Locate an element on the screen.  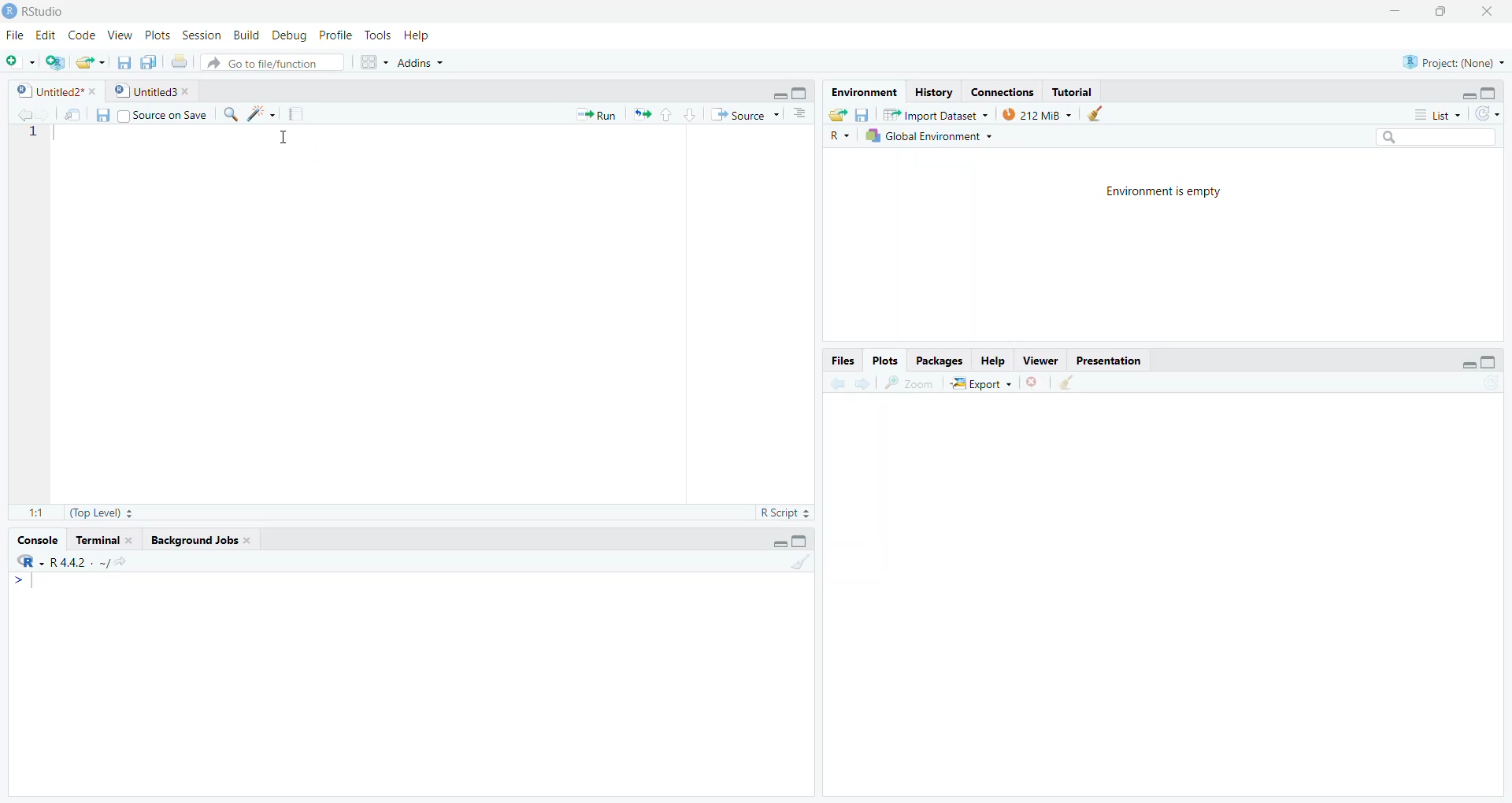
go to next section is located at coordinates (691, 117).